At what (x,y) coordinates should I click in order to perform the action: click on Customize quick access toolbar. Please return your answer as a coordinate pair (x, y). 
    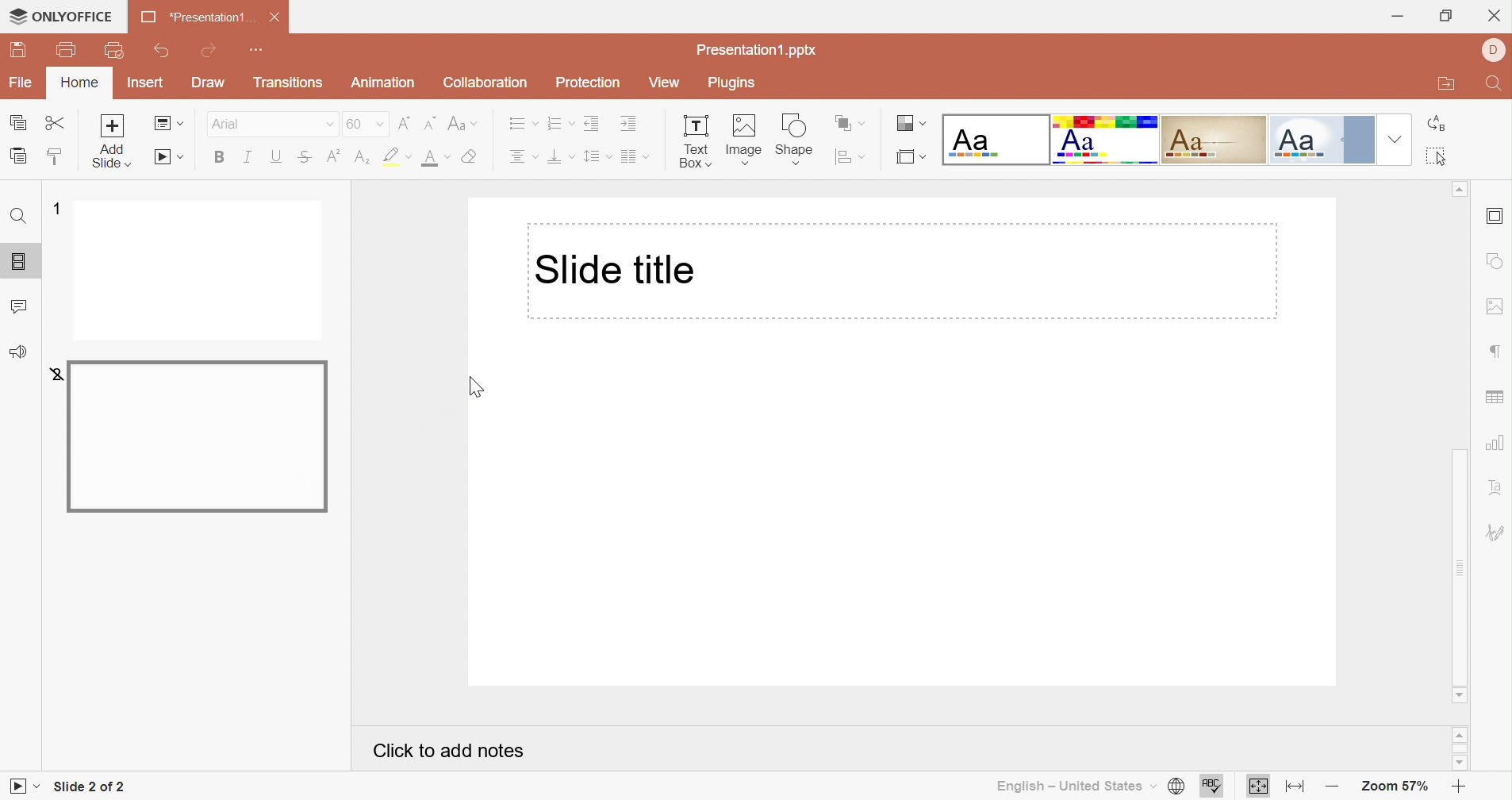
    Looking at the image, I should click on (256, 50).